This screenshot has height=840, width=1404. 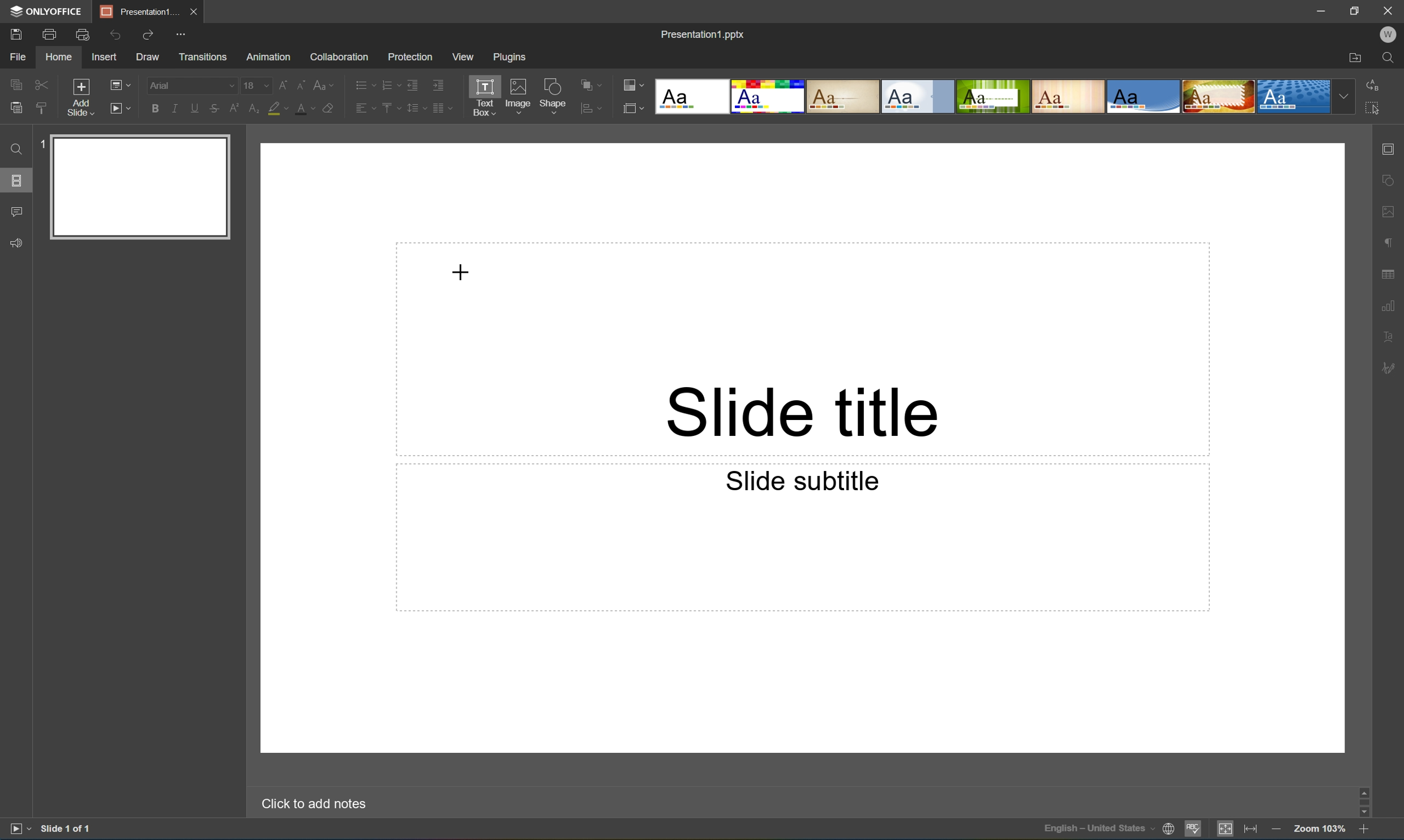 What do you see at coordinates (18, 57) in the screenshot?
I see `File` at bounding box center [18, 57].